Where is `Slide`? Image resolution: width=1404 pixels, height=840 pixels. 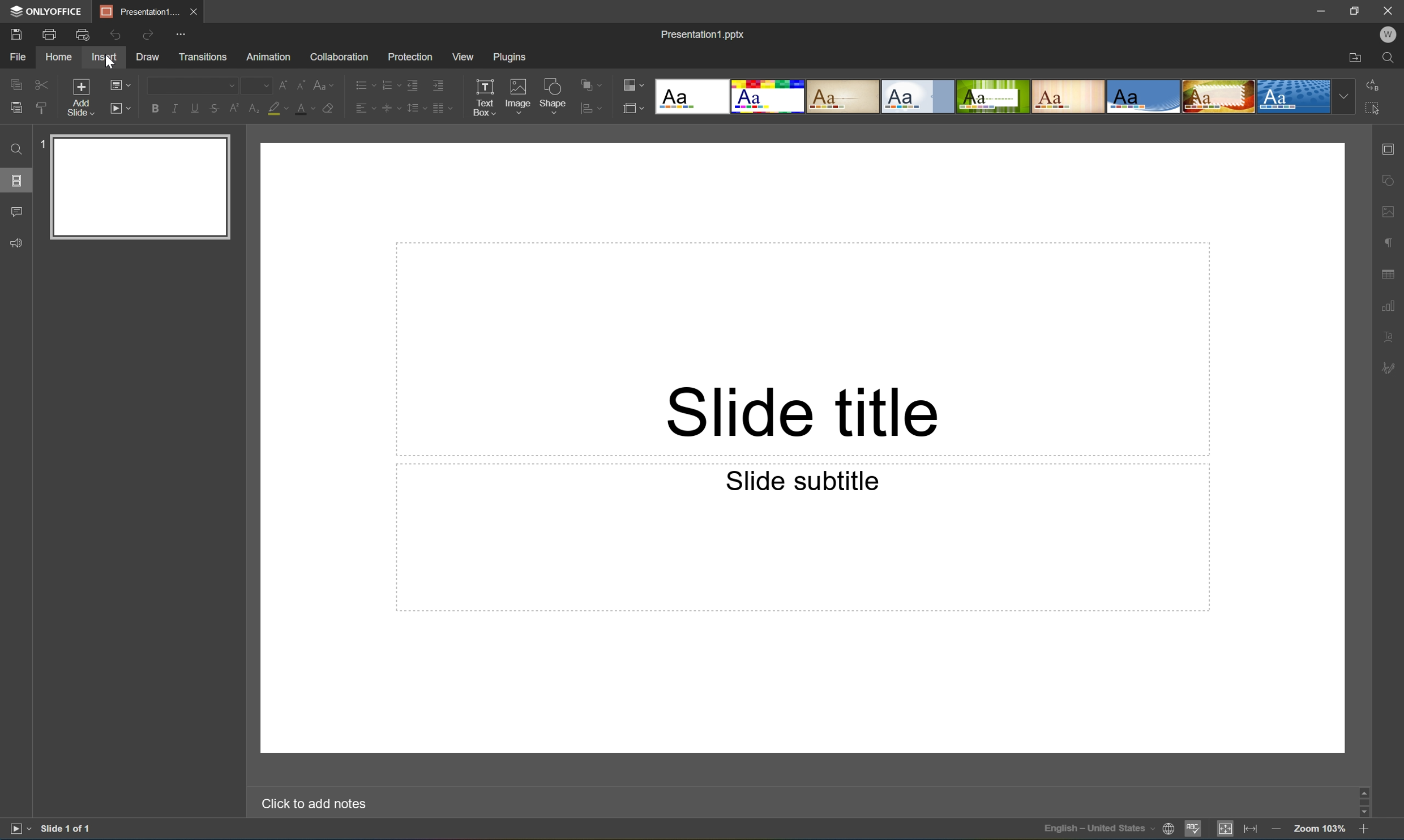 Slide is located at coordinates (140, 187).